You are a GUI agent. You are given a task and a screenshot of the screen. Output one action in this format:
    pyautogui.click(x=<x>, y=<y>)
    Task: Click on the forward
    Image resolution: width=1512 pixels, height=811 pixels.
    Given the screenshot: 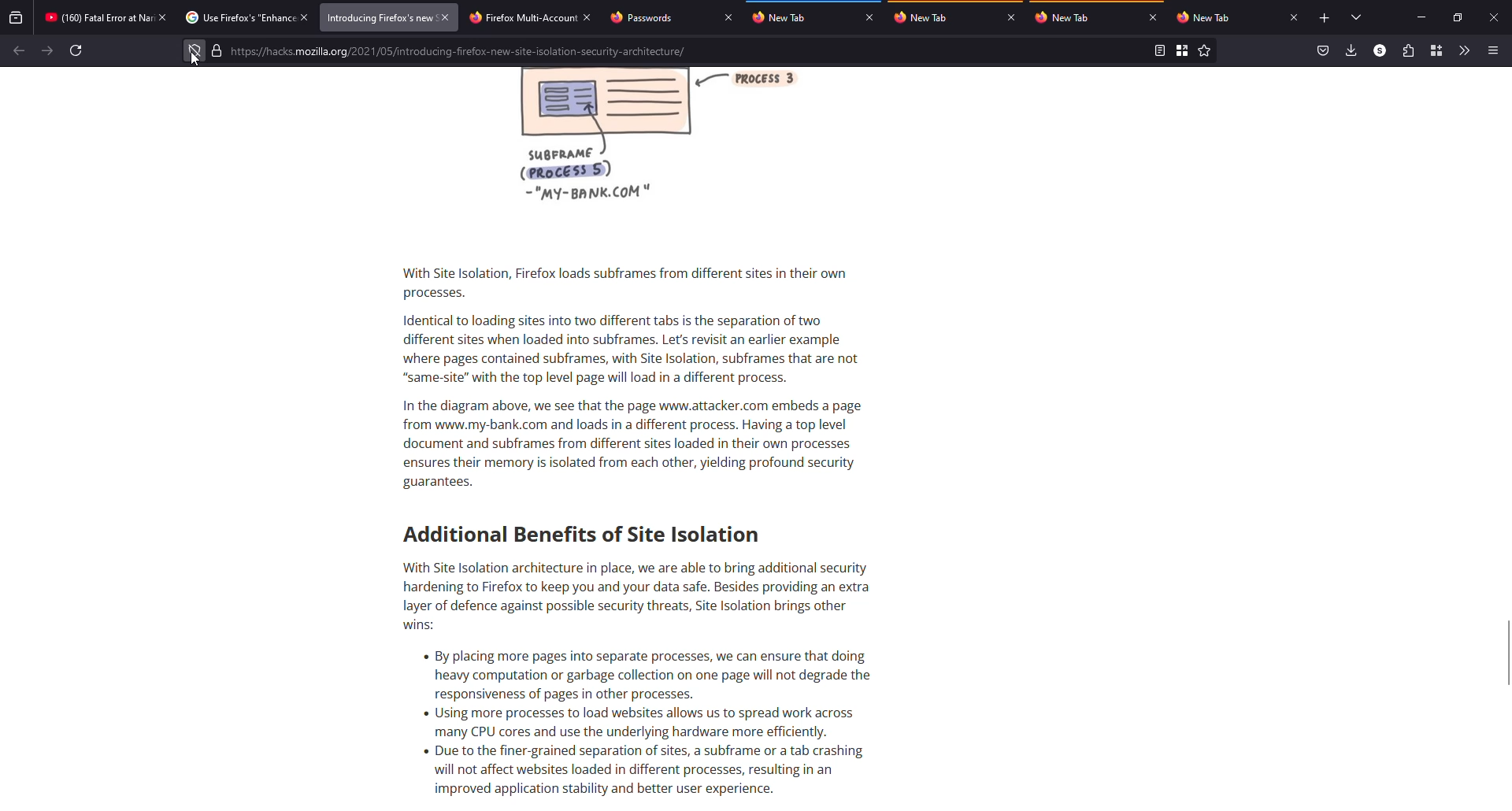 What is the action you would take?
    pyautogui.click(x=47, y=50)
    